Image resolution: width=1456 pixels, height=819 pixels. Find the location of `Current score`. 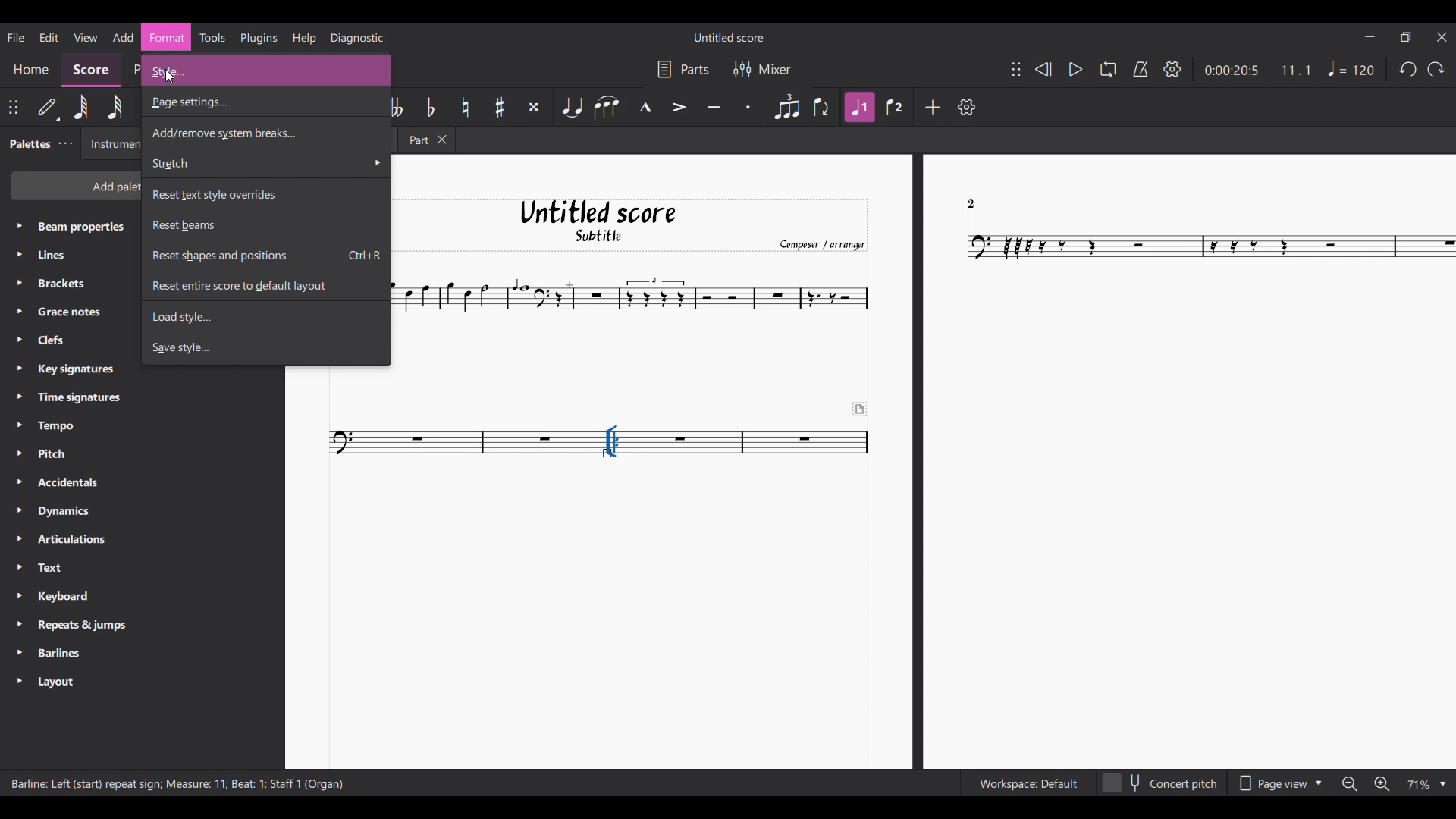

Current score is located at coordinates (926, 461).